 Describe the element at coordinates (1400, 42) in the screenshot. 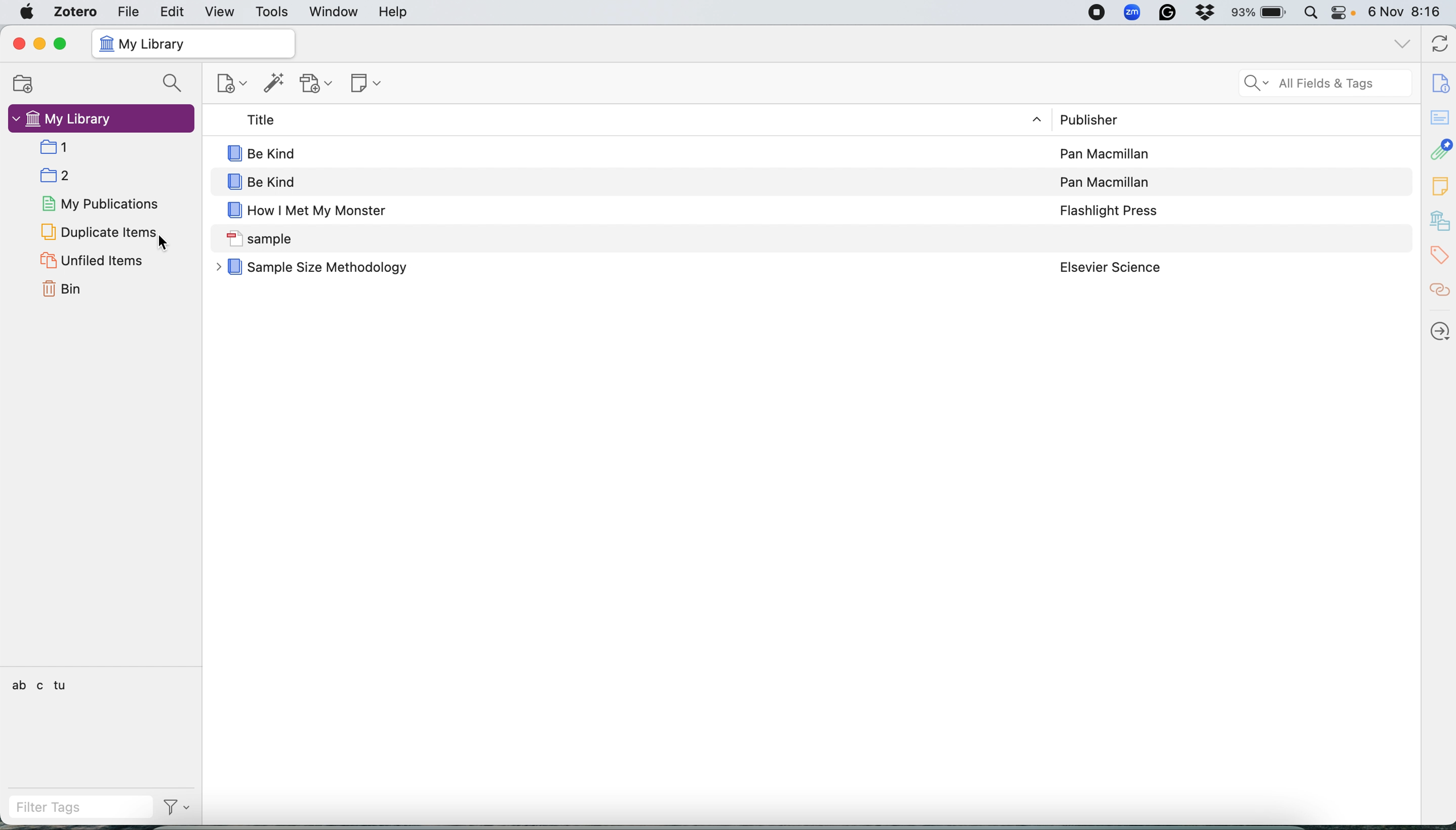

I see `collapse all tabs` at that location.